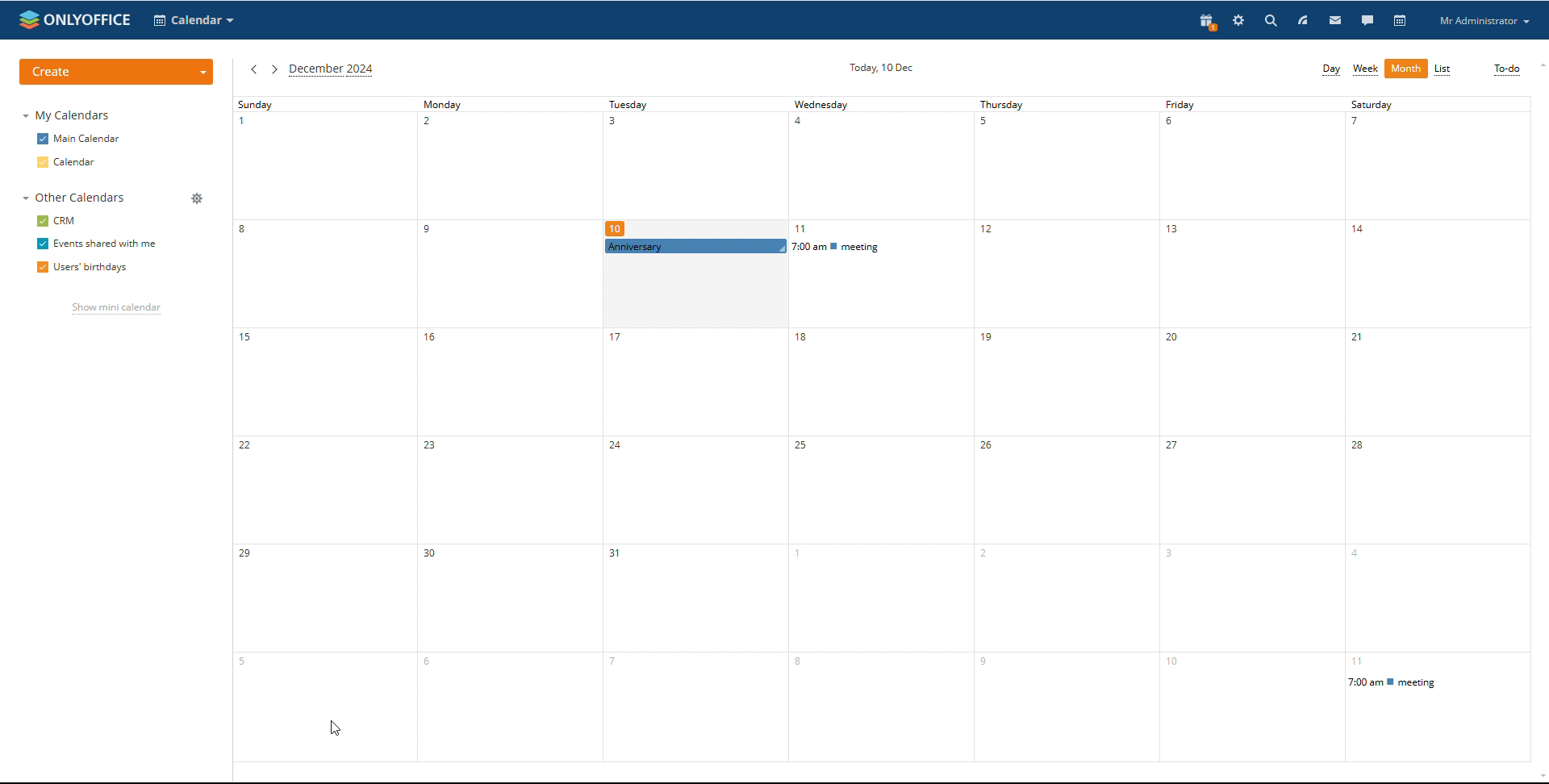  I want to click on my calendars, so click(65, 115).